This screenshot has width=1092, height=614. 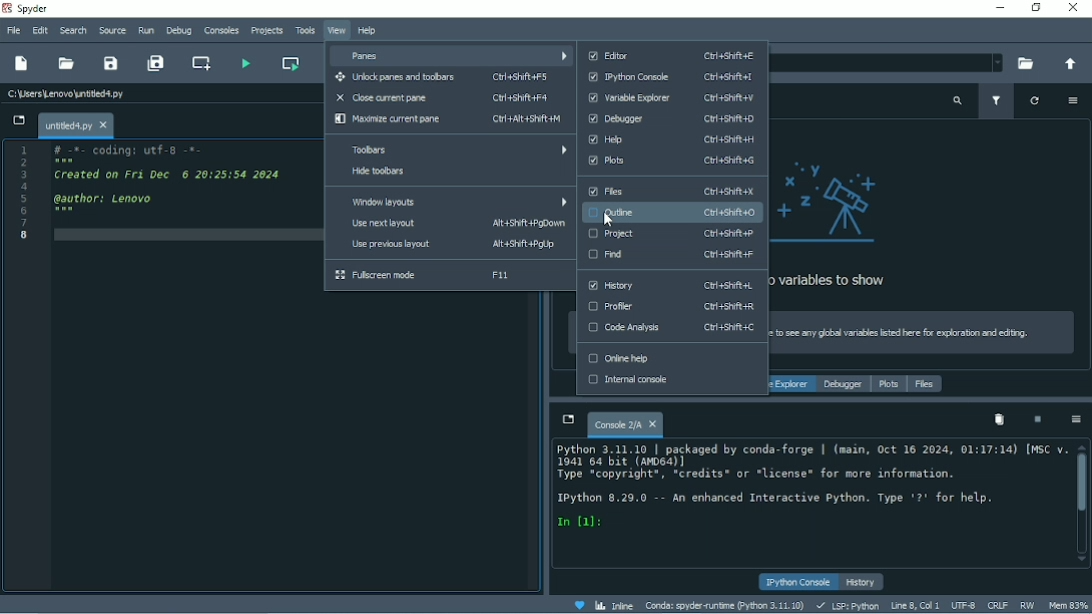 What do you see at coordinates (925, 384) in the screenshot?
I see `Files` at bounding box center [925, 384].